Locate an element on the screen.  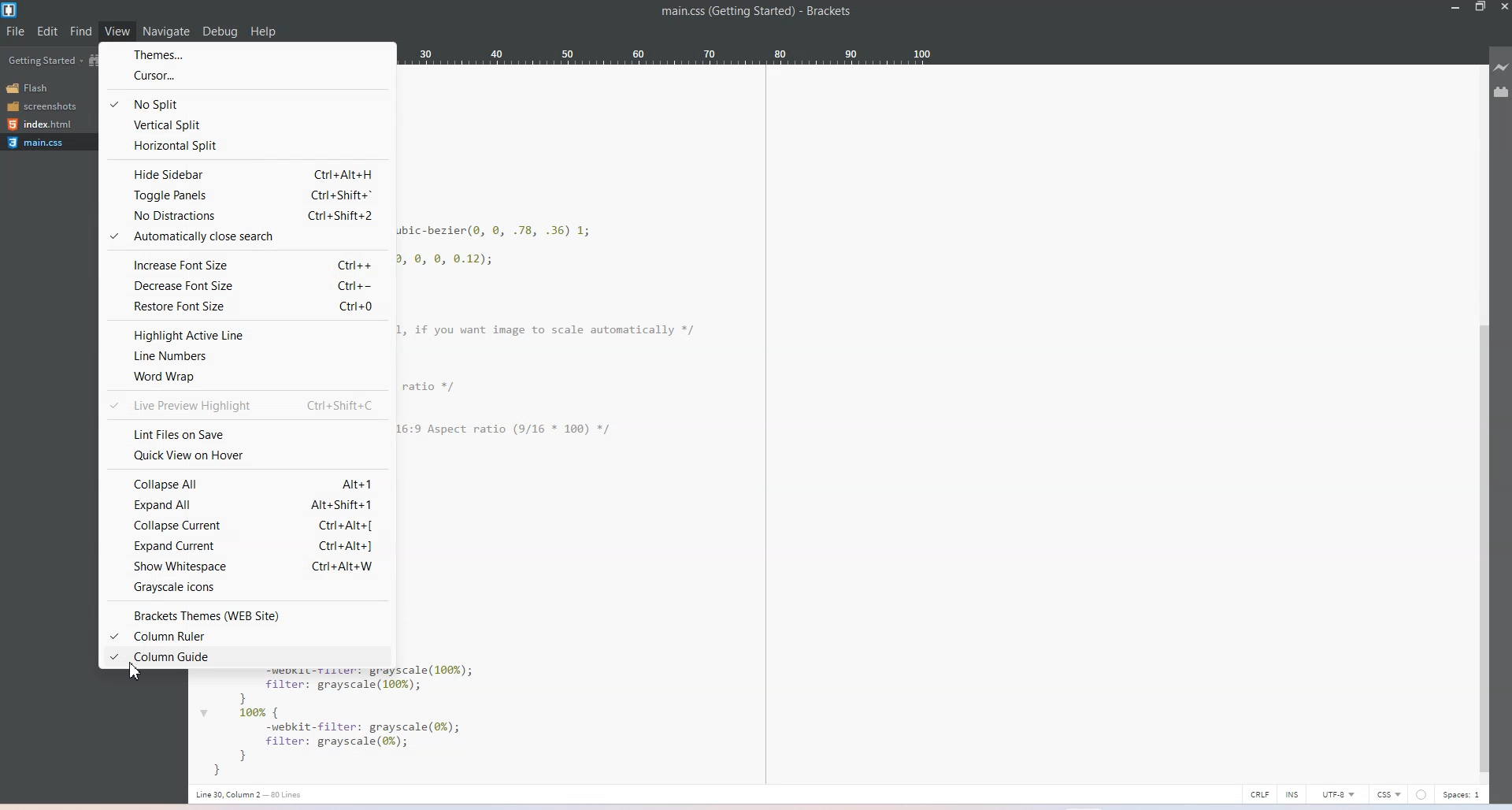
Edit is located at coordinates (48, 32).